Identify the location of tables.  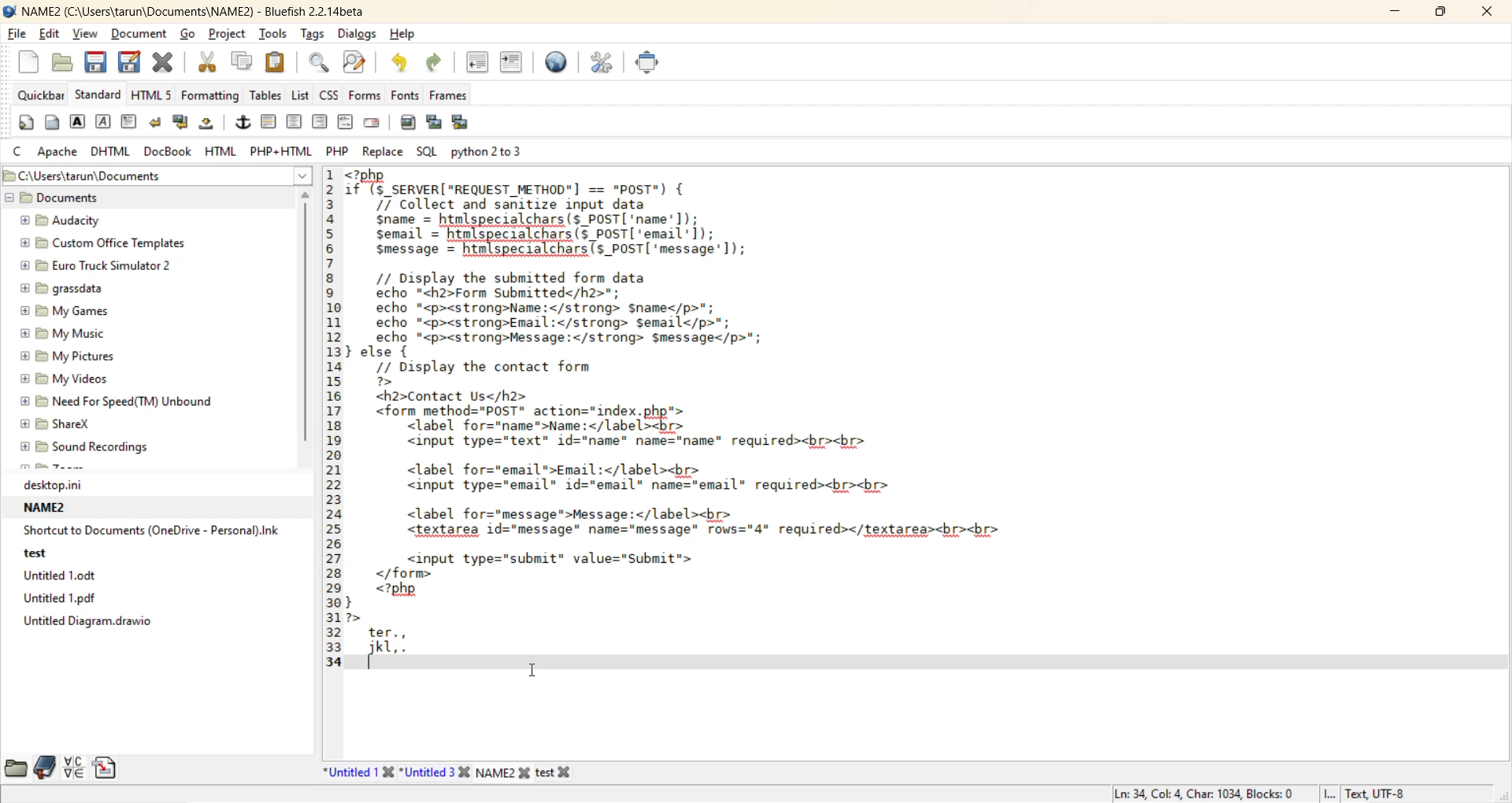
(265, 95).